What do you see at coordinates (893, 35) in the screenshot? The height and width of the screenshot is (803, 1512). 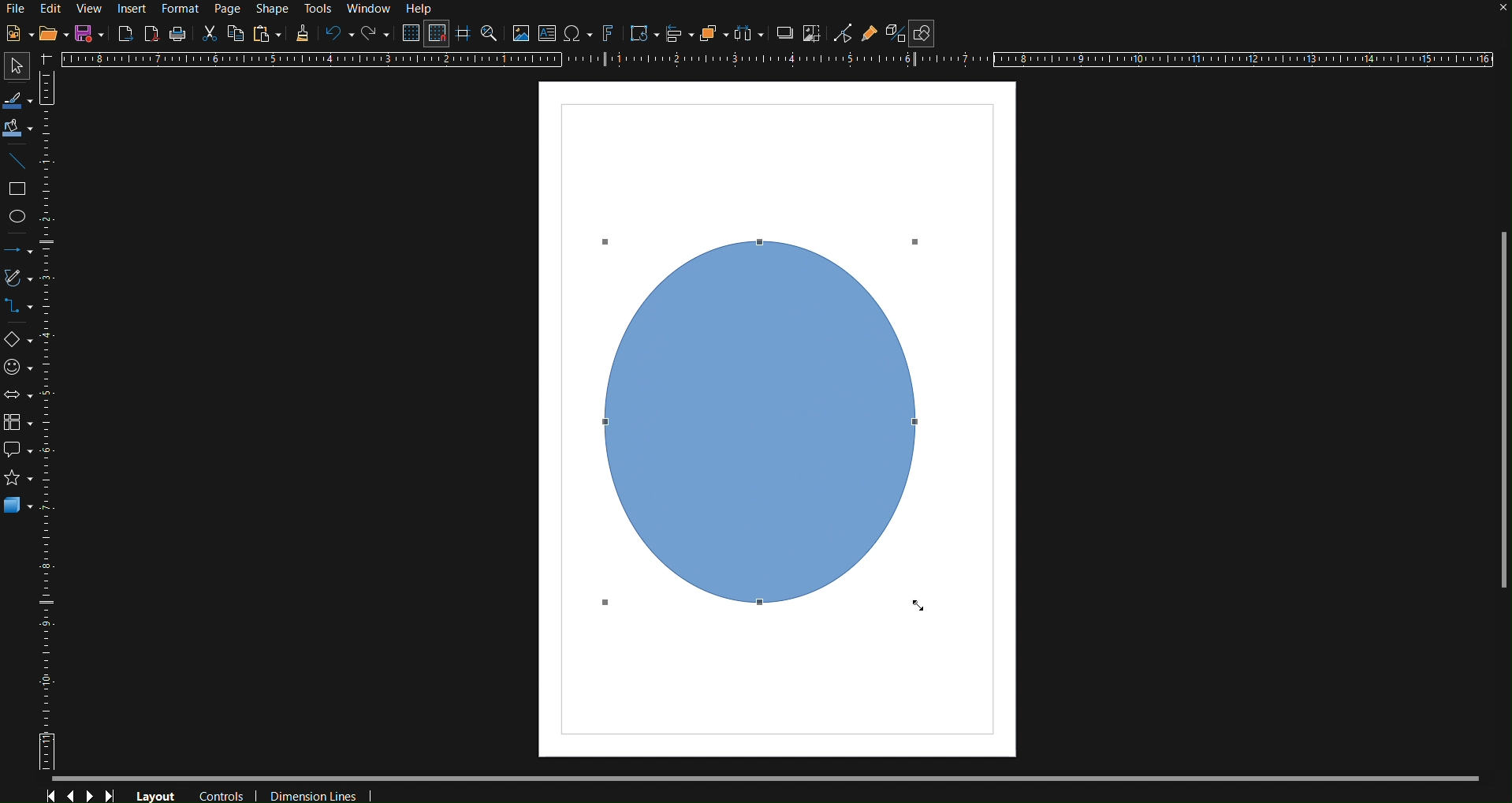 I see `Toggle Extrusion` at bounding box center [893, 35].